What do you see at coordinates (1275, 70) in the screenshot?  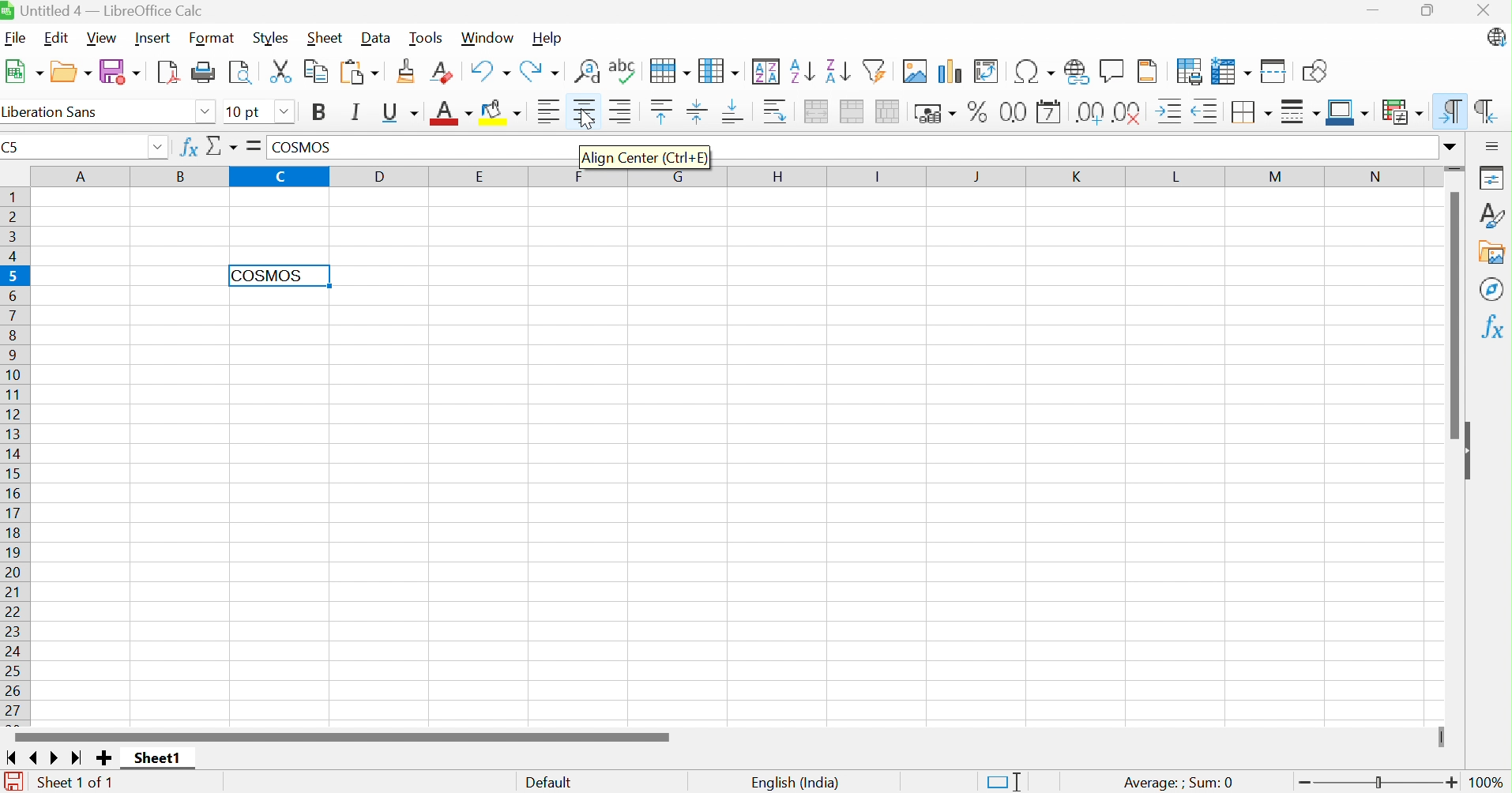 I see `Split Window` at bounding box center [1275, 70].